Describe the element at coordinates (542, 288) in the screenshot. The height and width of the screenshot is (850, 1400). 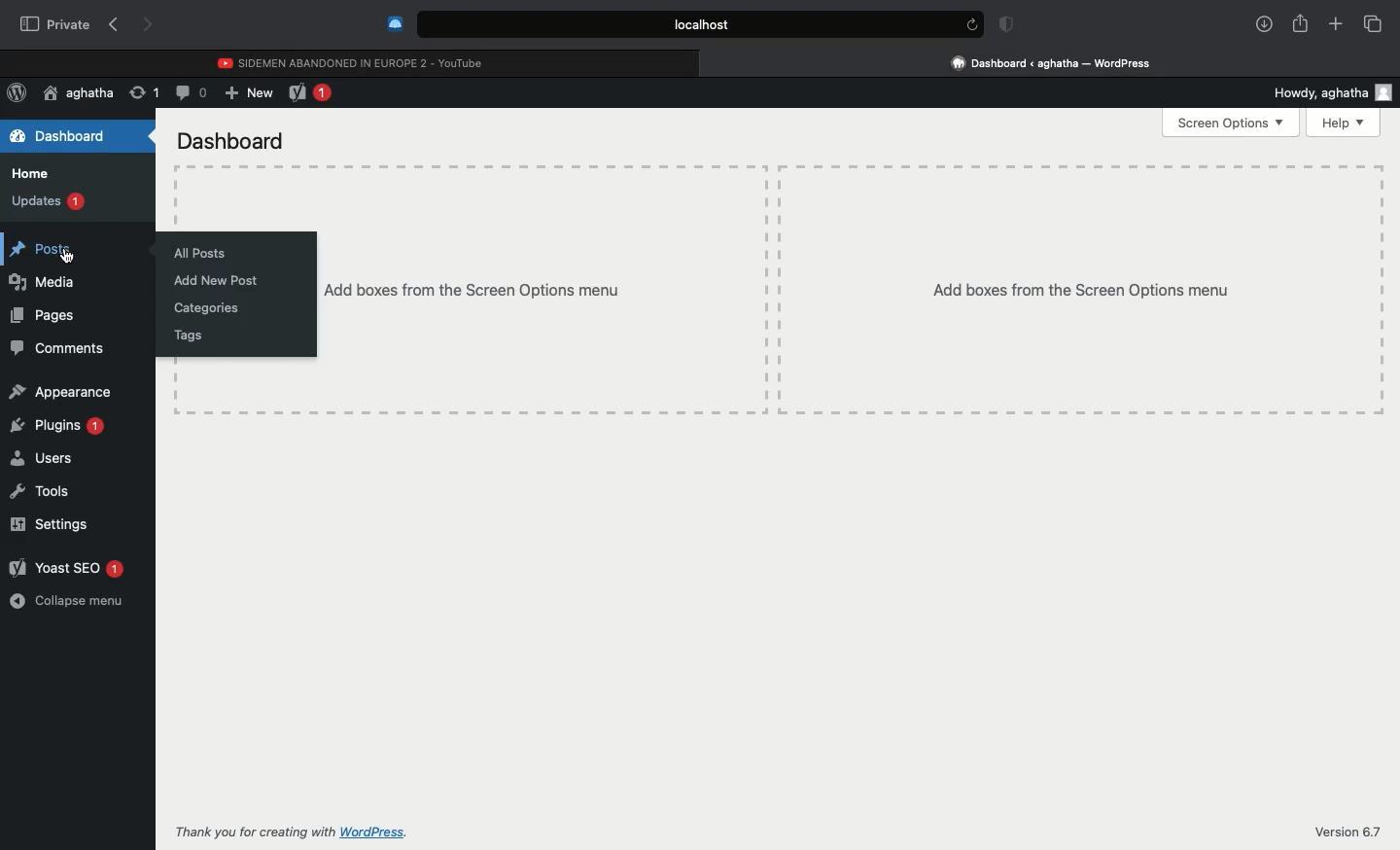
I see `Add boxes from the screen options menu` at that location.